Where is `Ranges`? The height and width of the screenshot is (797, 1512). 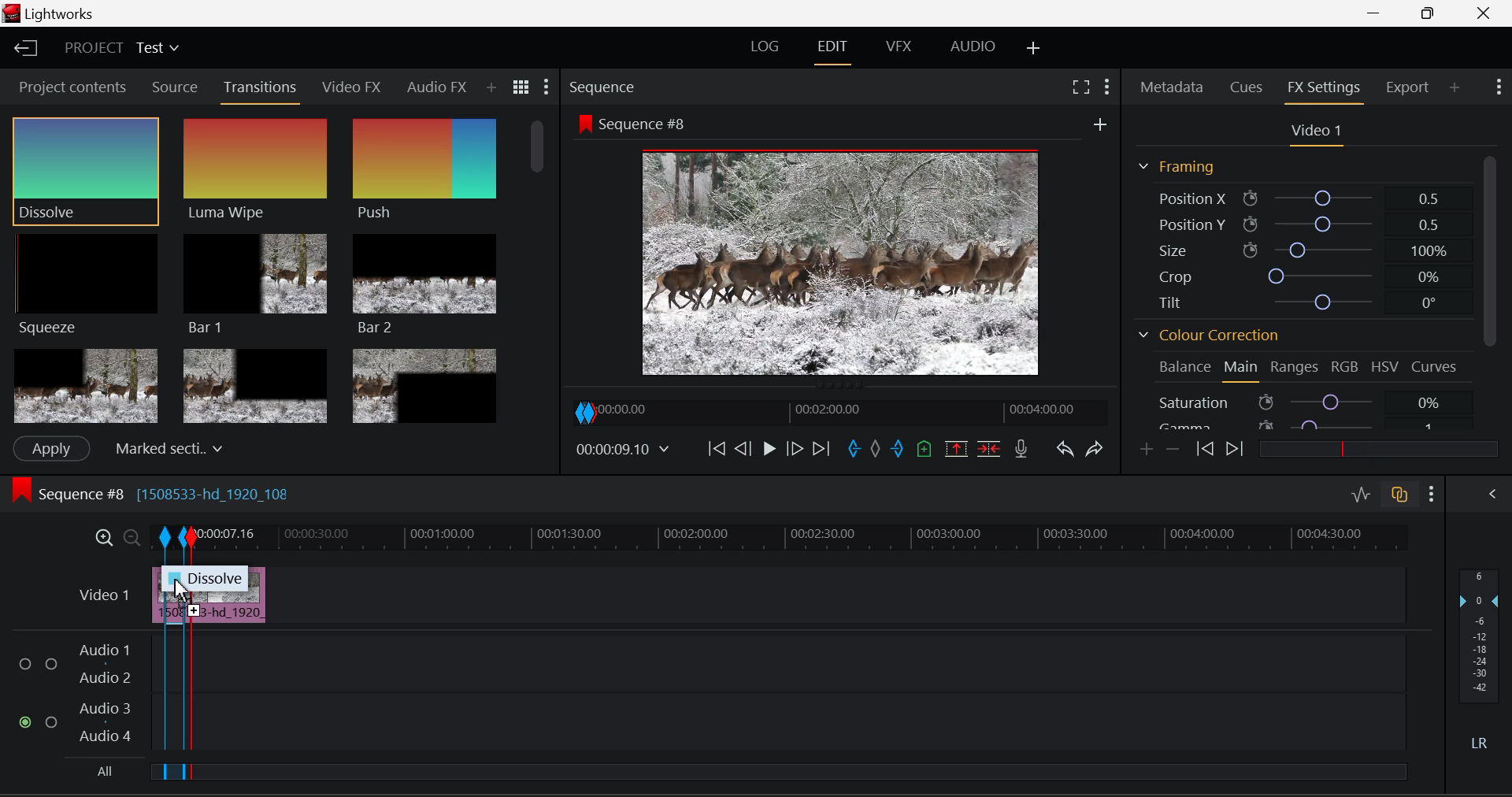 Ranges is located at coordinates (1295, 369).